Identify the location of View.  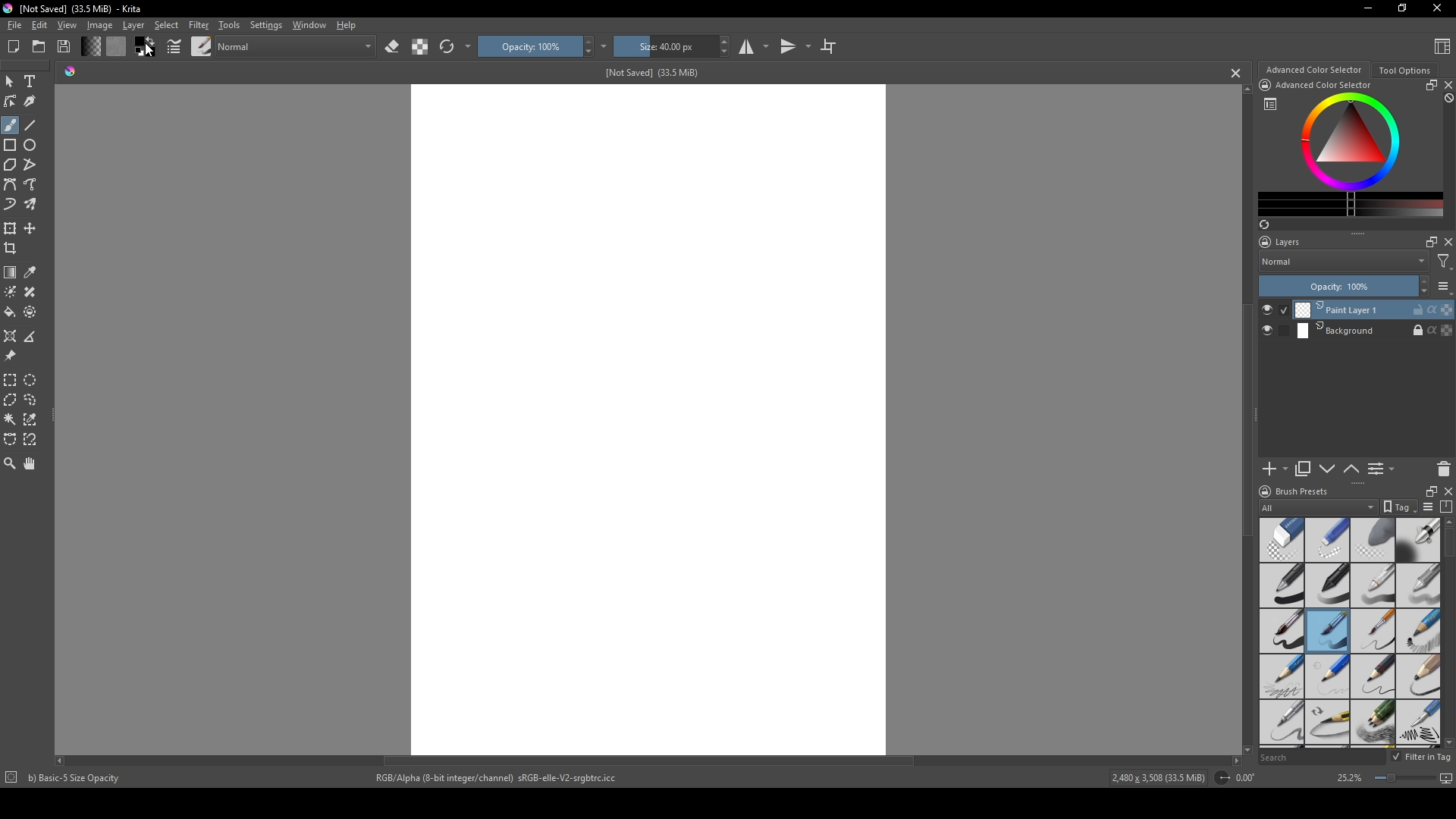
(67, 25).